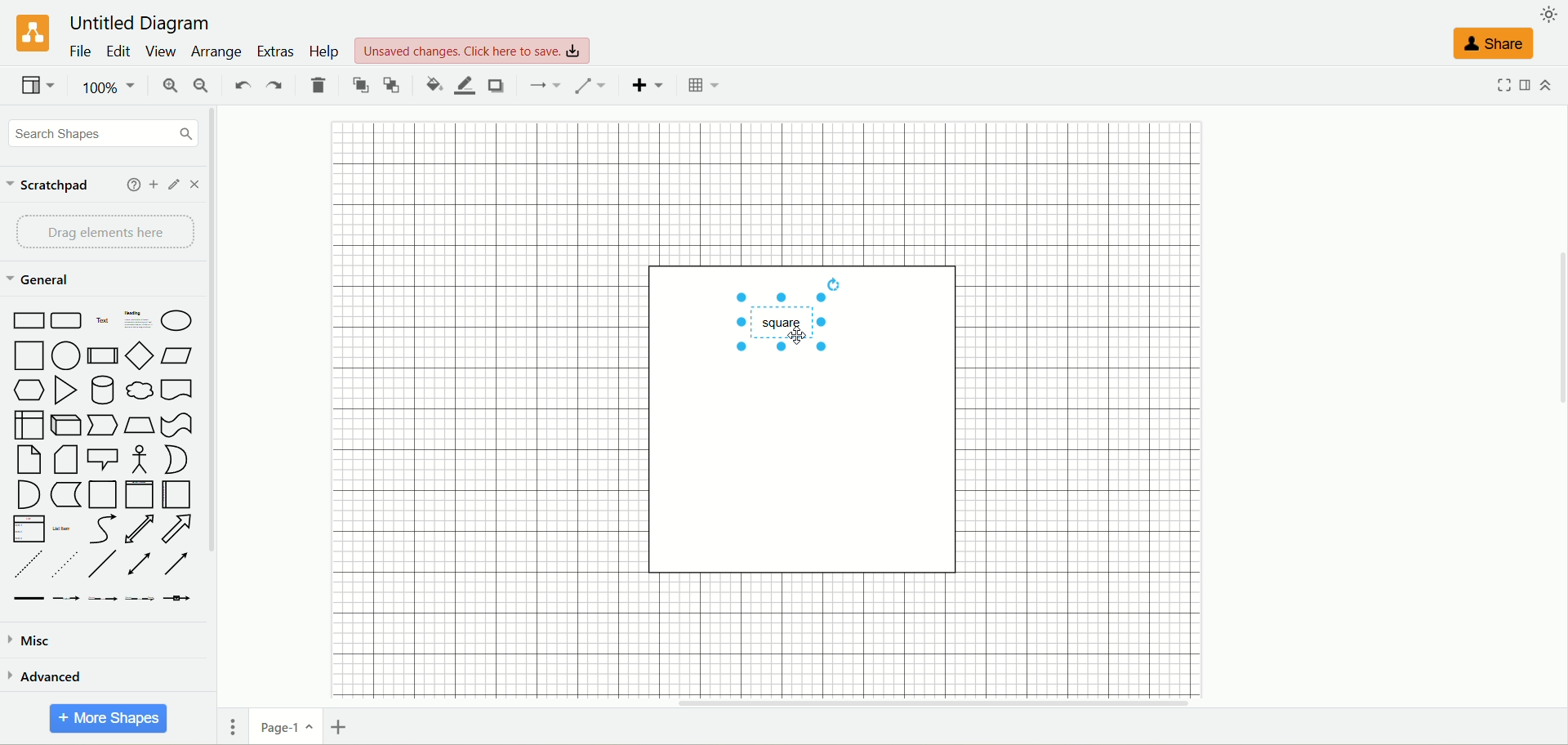  Describe the element at coordinates (197, 185) in the screenshot. I see `close` at that location.